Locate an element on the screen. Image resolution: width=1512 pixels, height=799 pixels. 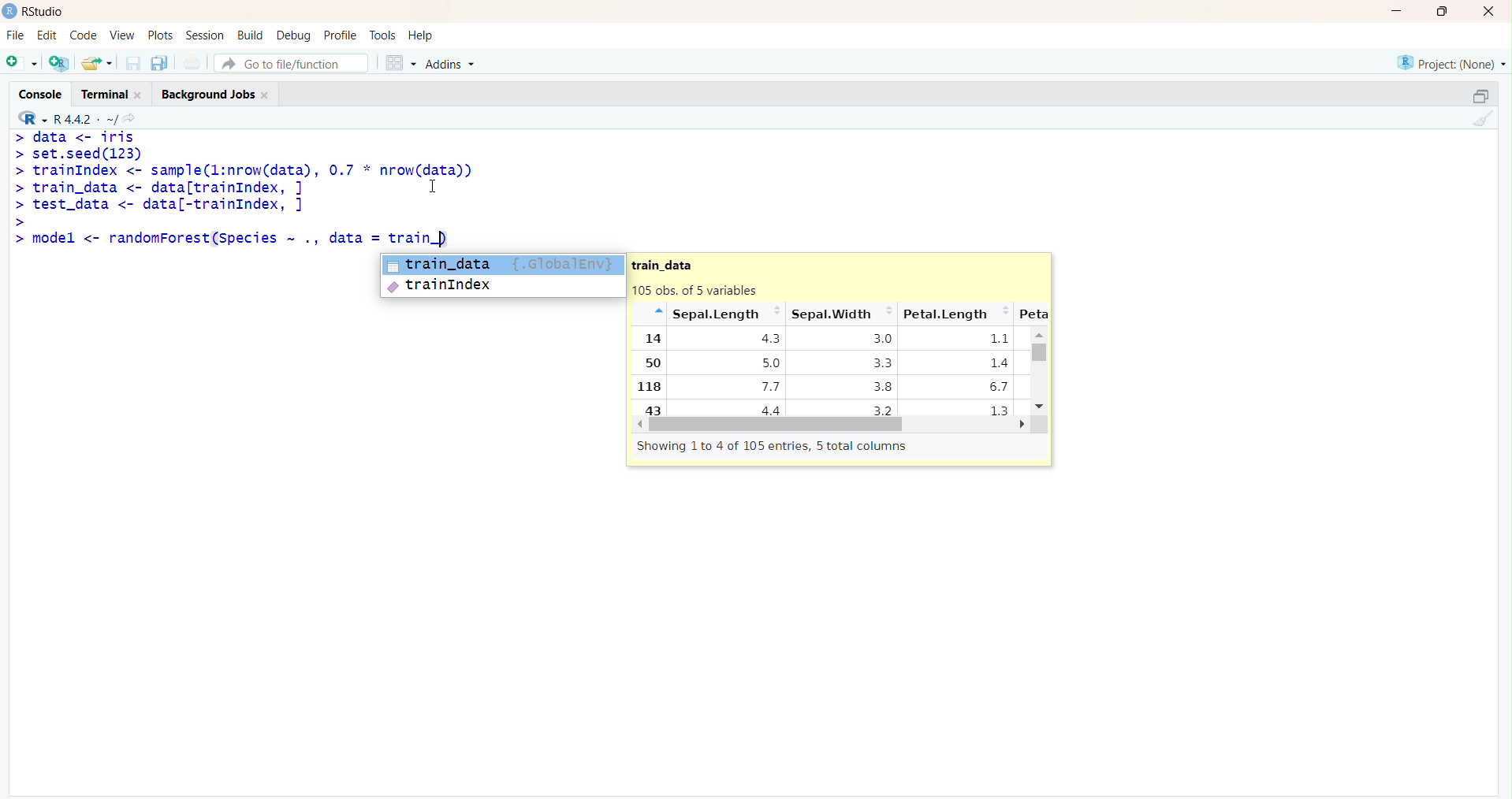
Scrollbar is located at coordinates (780, 426).